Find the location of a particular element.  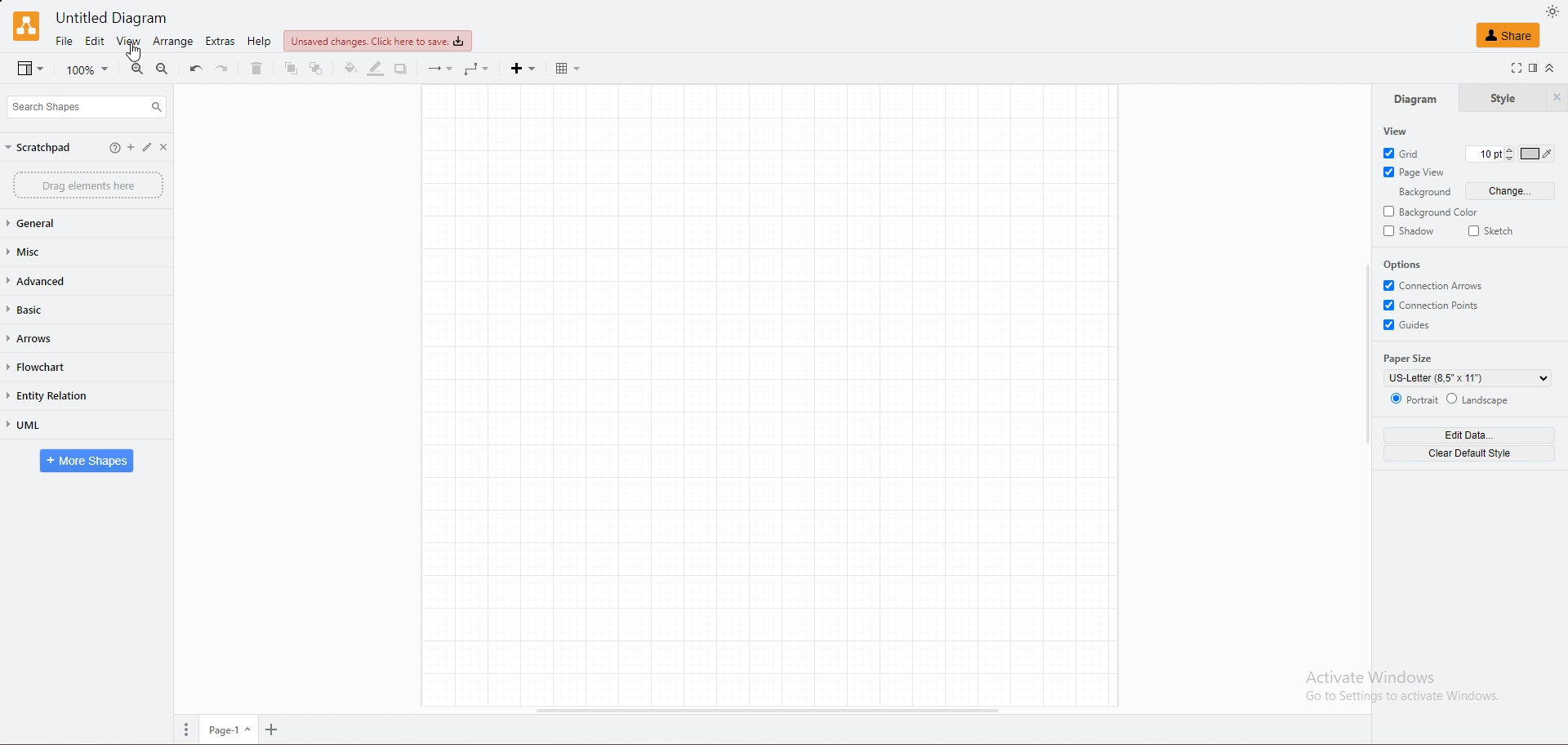

help is located at coordinates (106, 147).